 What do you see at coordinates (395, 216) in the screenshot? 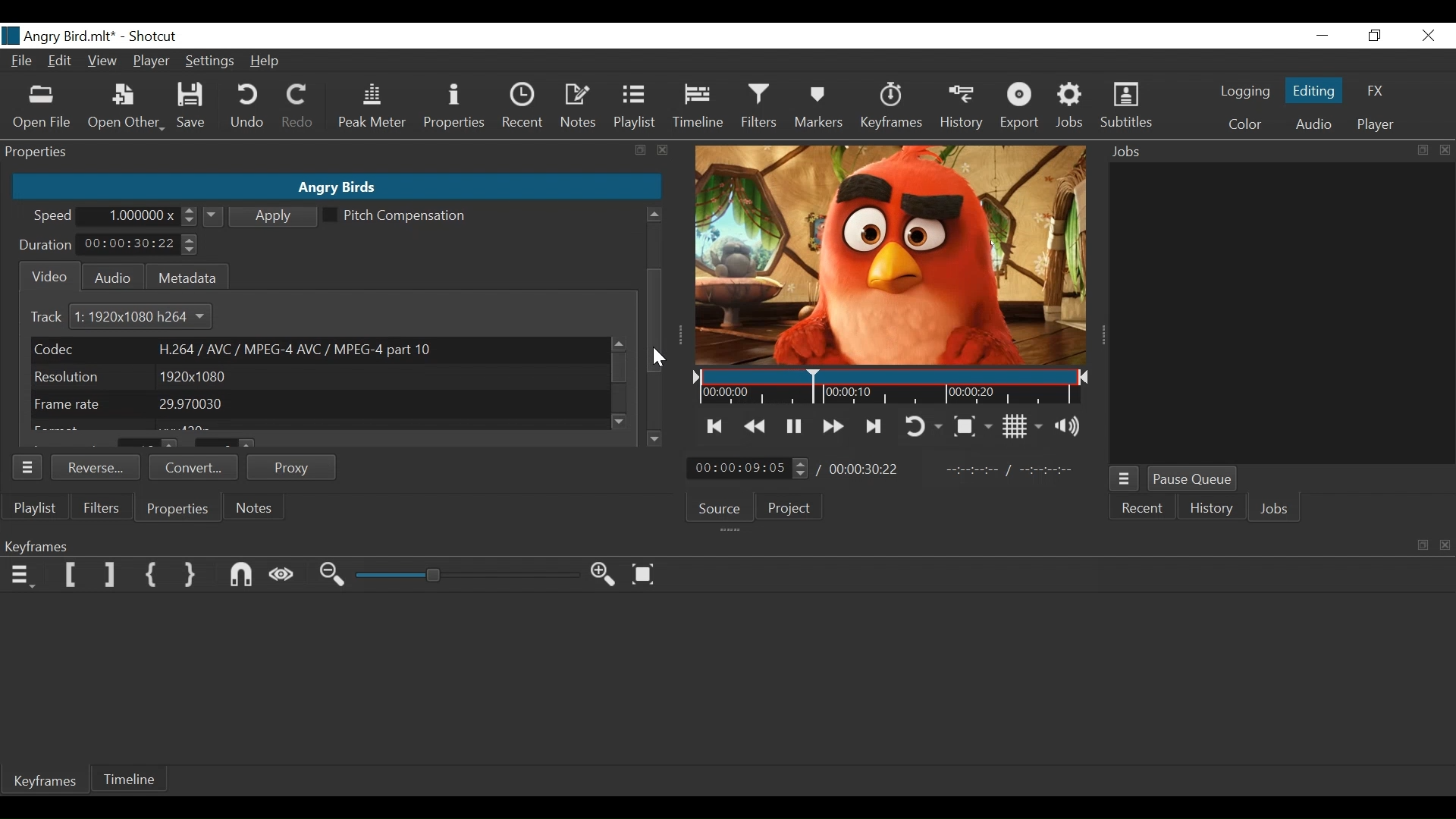
I see `(un)select Pitch Compensation` at bounding box center [395, 216].